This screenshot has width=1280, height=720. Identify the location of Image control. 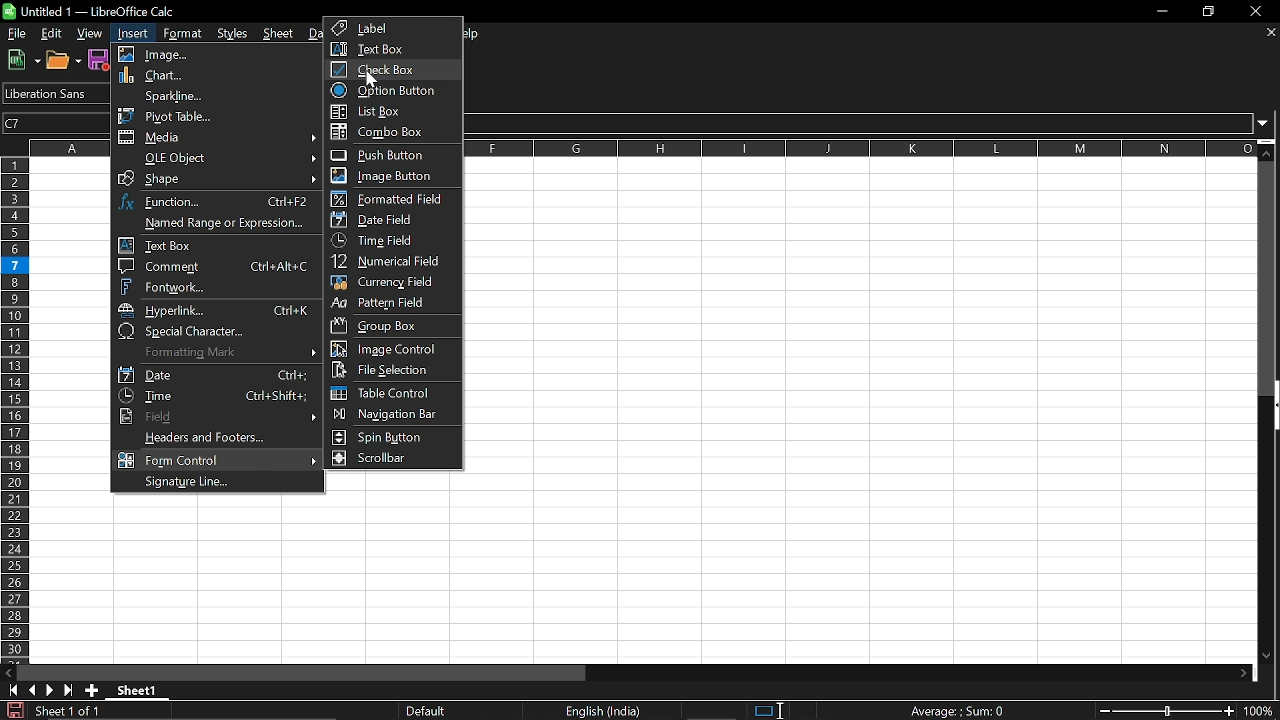
(392, 349).